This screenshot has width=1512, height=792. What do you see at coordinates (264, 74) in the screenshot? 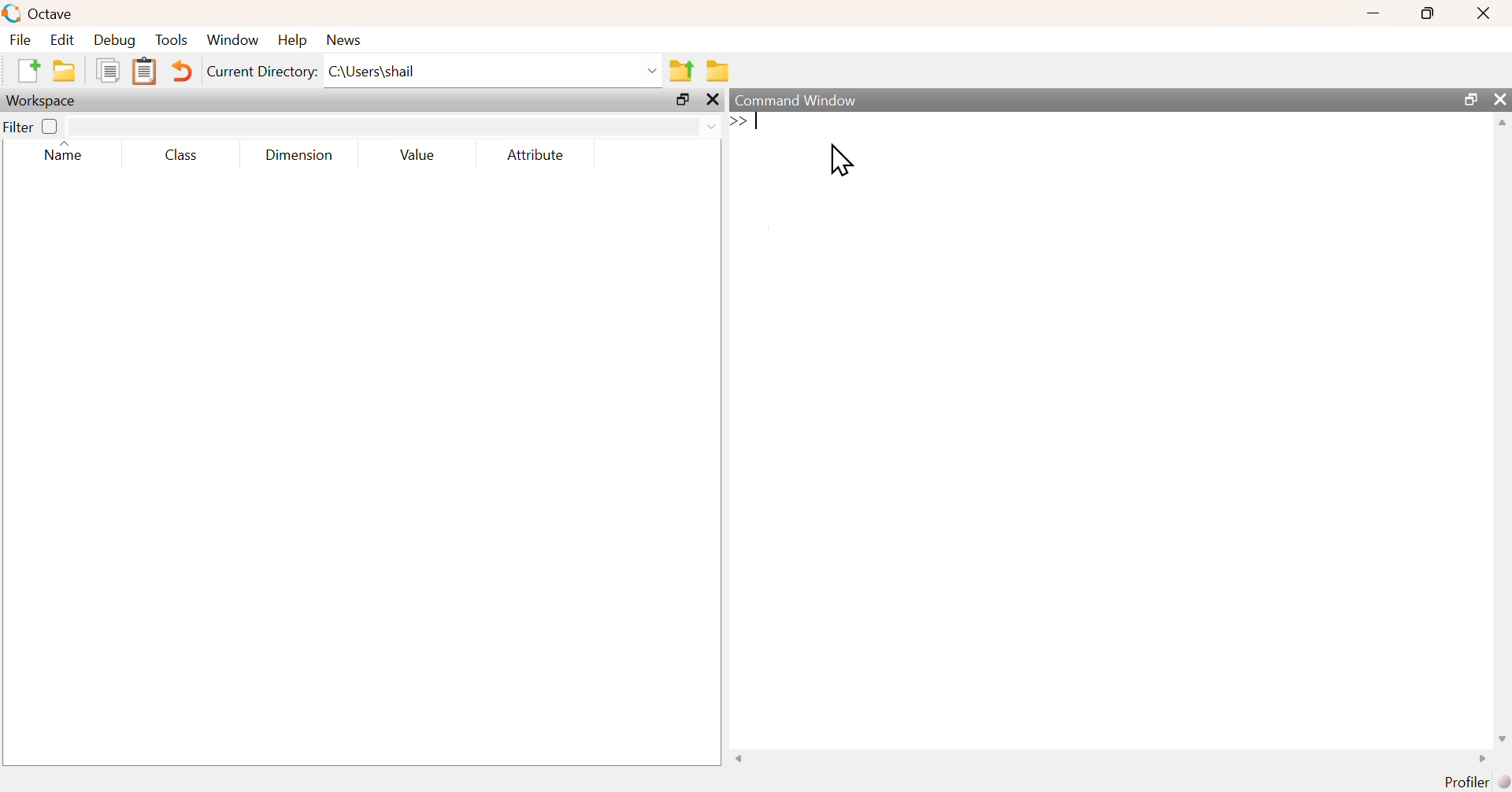
I see `Current Directory:` at bounding box center [264, 74].